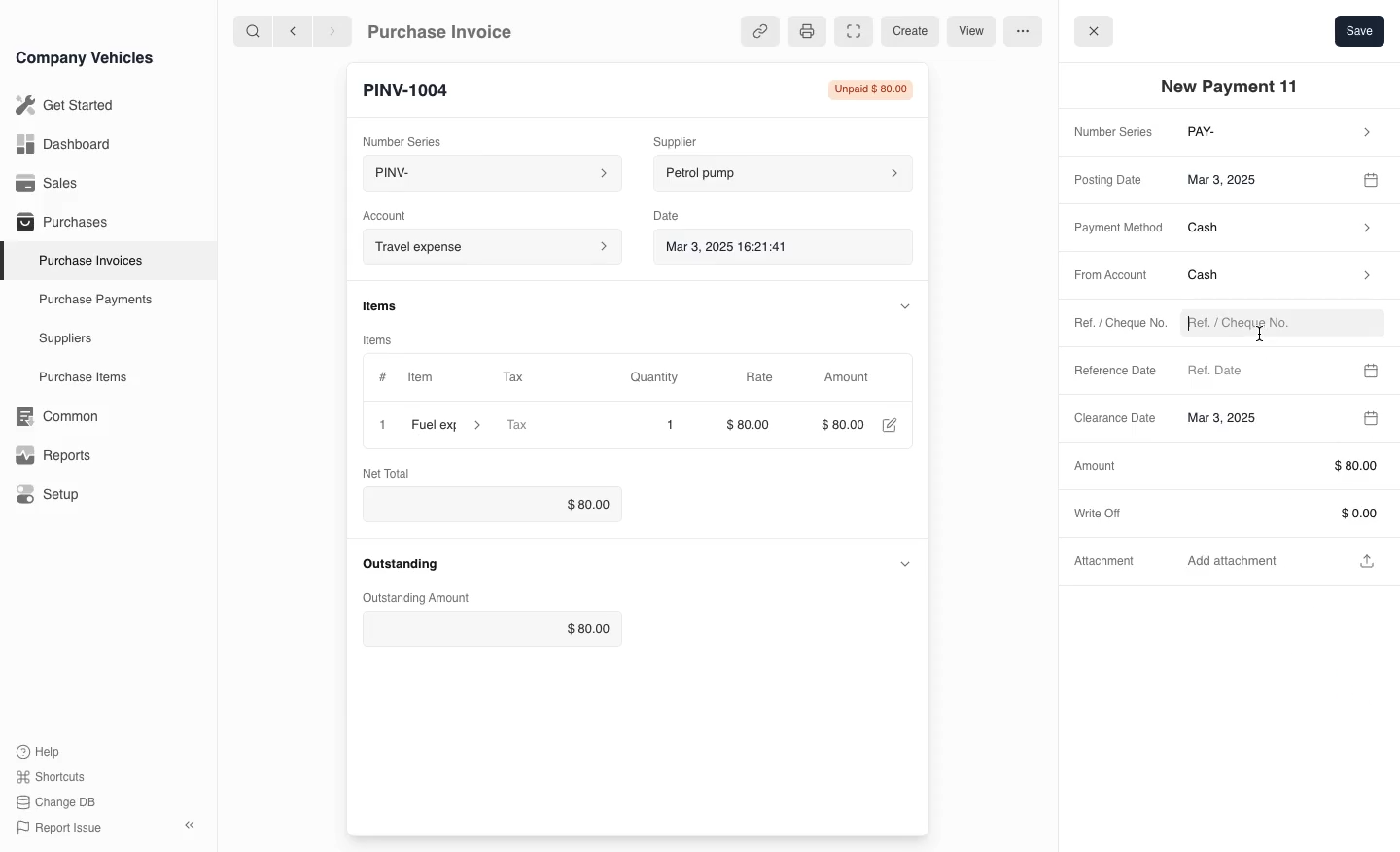 Image resolution: width=1400 pixels, height=852 pixels. What do you see at coordinates (805, 30) in the screenshot?
I see `print` at bounding box center [805, 30].